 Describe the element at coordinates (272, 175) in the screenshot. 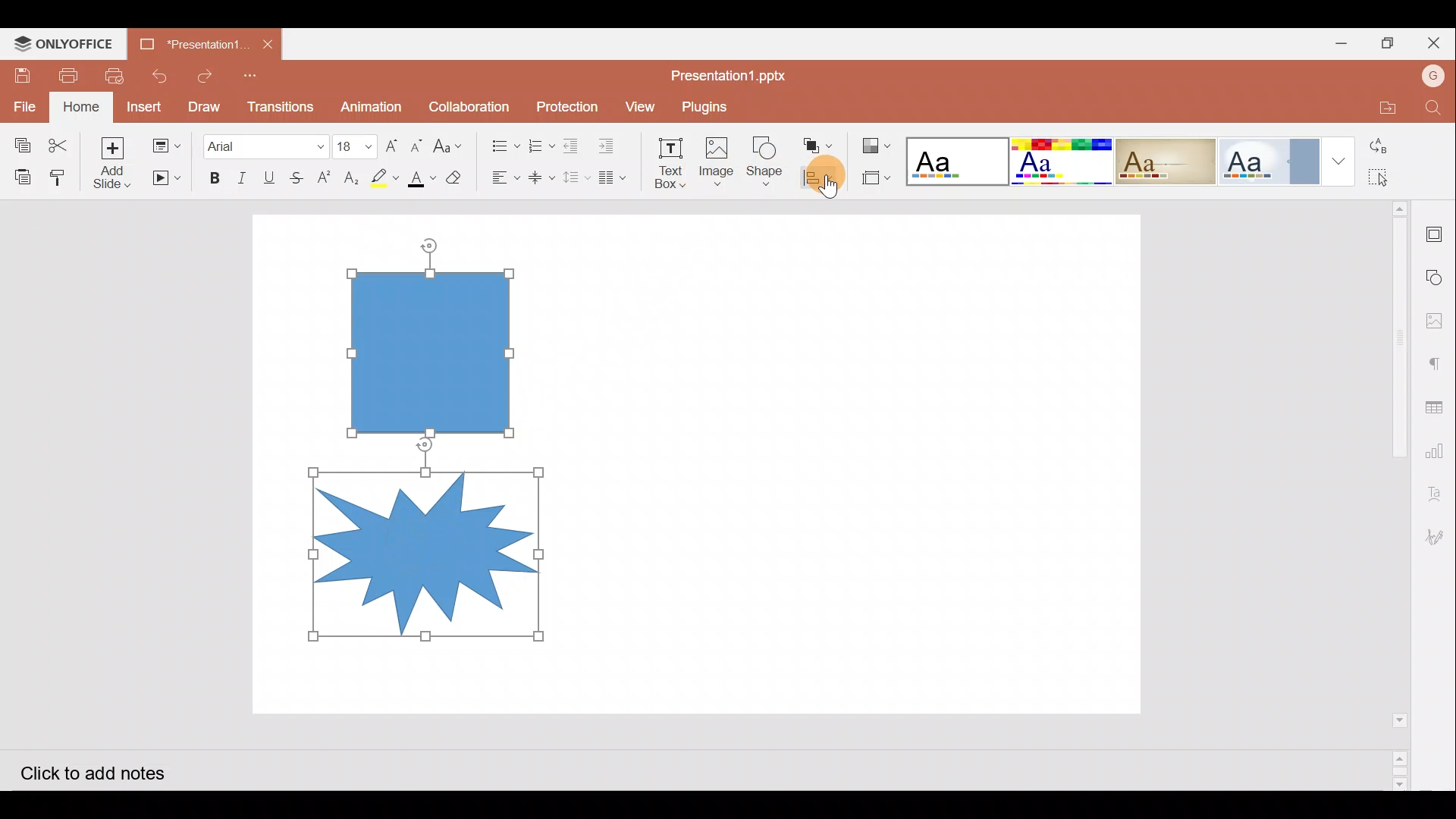

I see `Underline` at that location.